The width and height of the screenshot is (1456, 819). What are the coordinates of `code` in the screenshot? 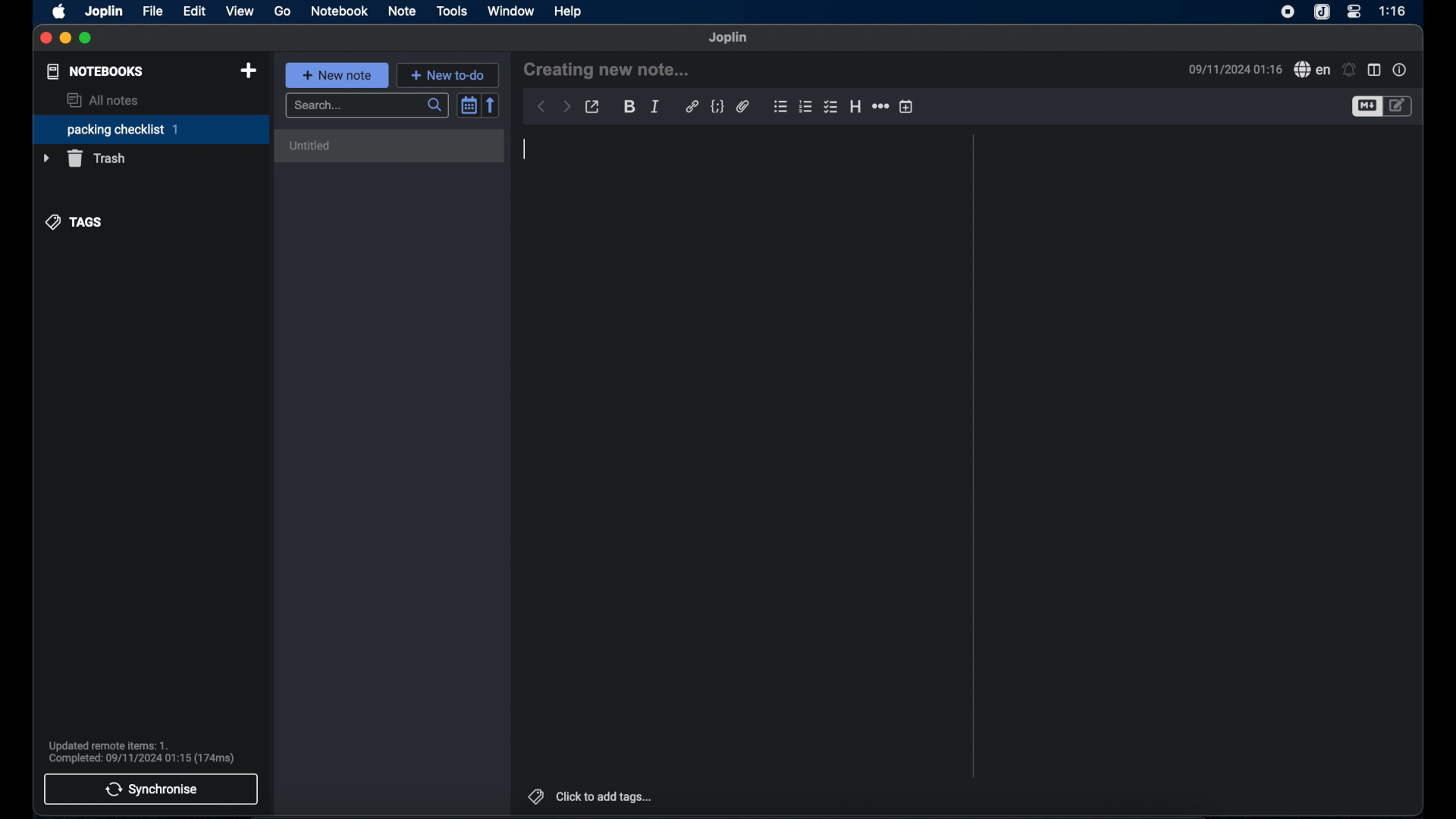 It's located at (717, 106).